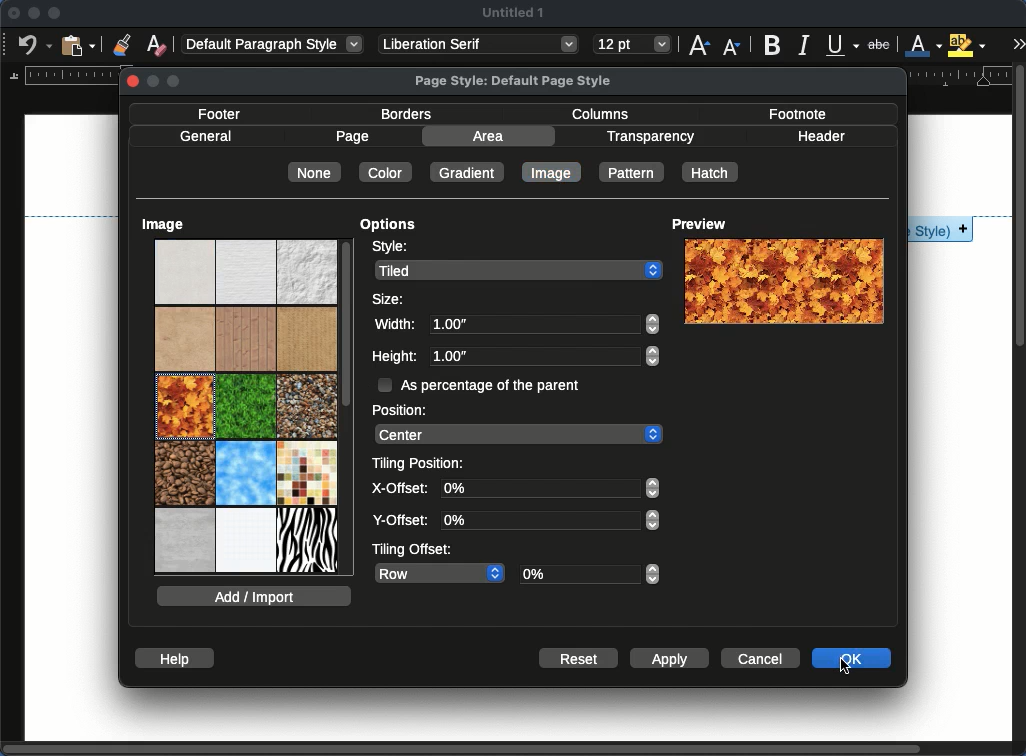 The width and height of the screenshot is (1026, 756). I want to click on center, so click(519, 435).